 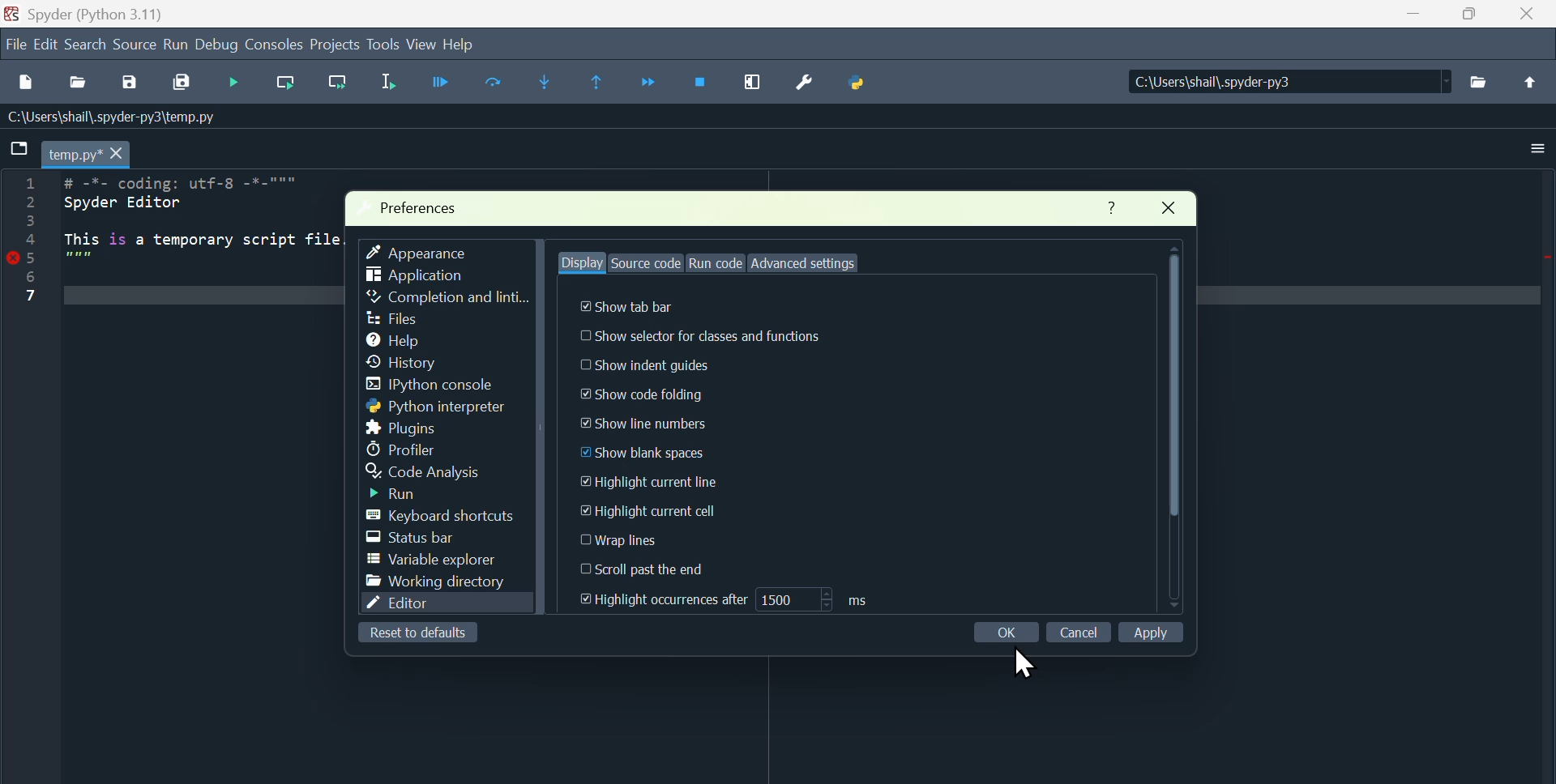 I want to click on Project, so click(x=335, y=45).